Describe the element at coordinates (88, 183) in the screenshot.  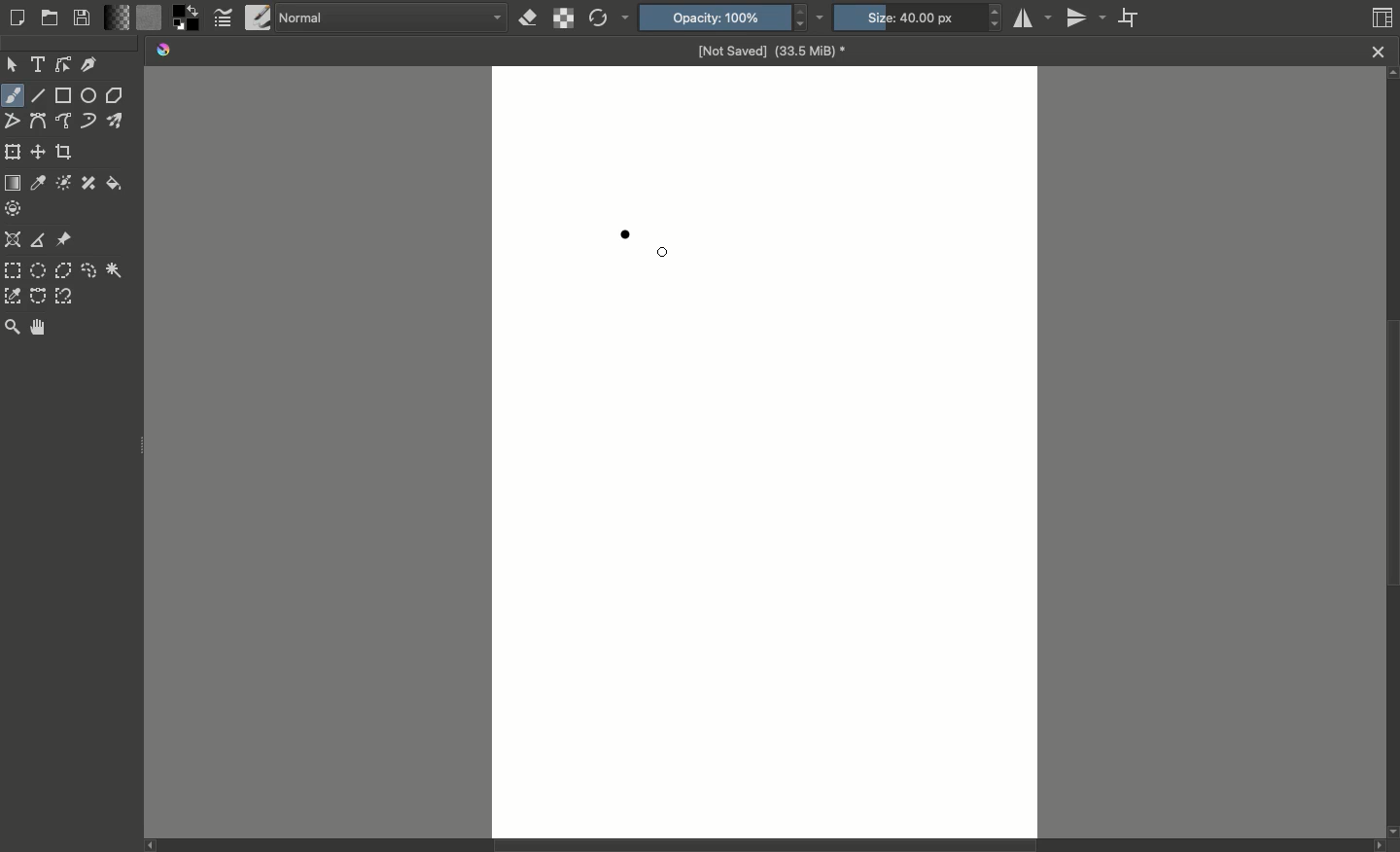
I see `Smart patch tool` at that location.